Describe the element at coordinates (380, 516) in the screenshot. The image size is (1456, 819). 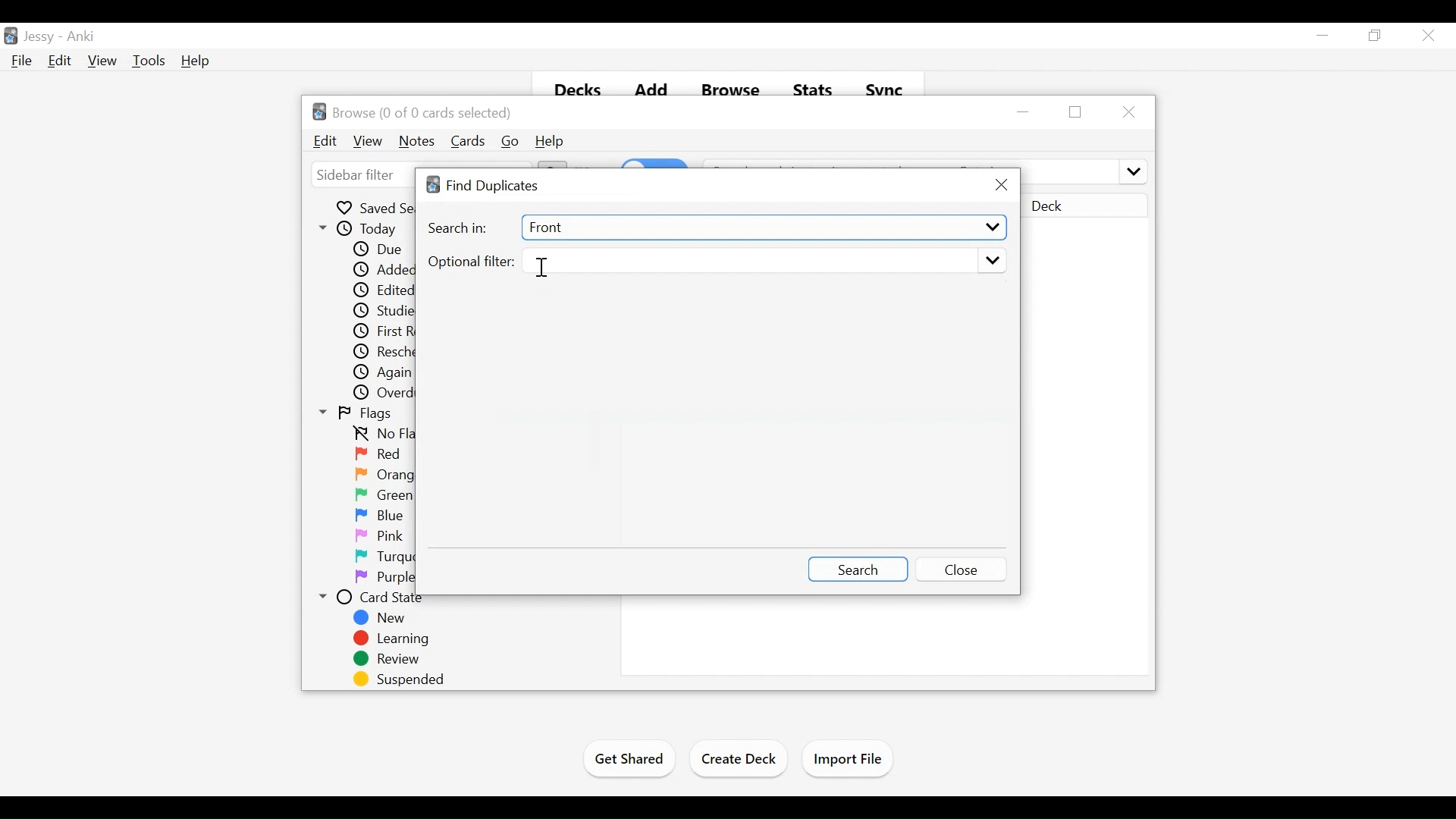
I see `Blue` at that location.